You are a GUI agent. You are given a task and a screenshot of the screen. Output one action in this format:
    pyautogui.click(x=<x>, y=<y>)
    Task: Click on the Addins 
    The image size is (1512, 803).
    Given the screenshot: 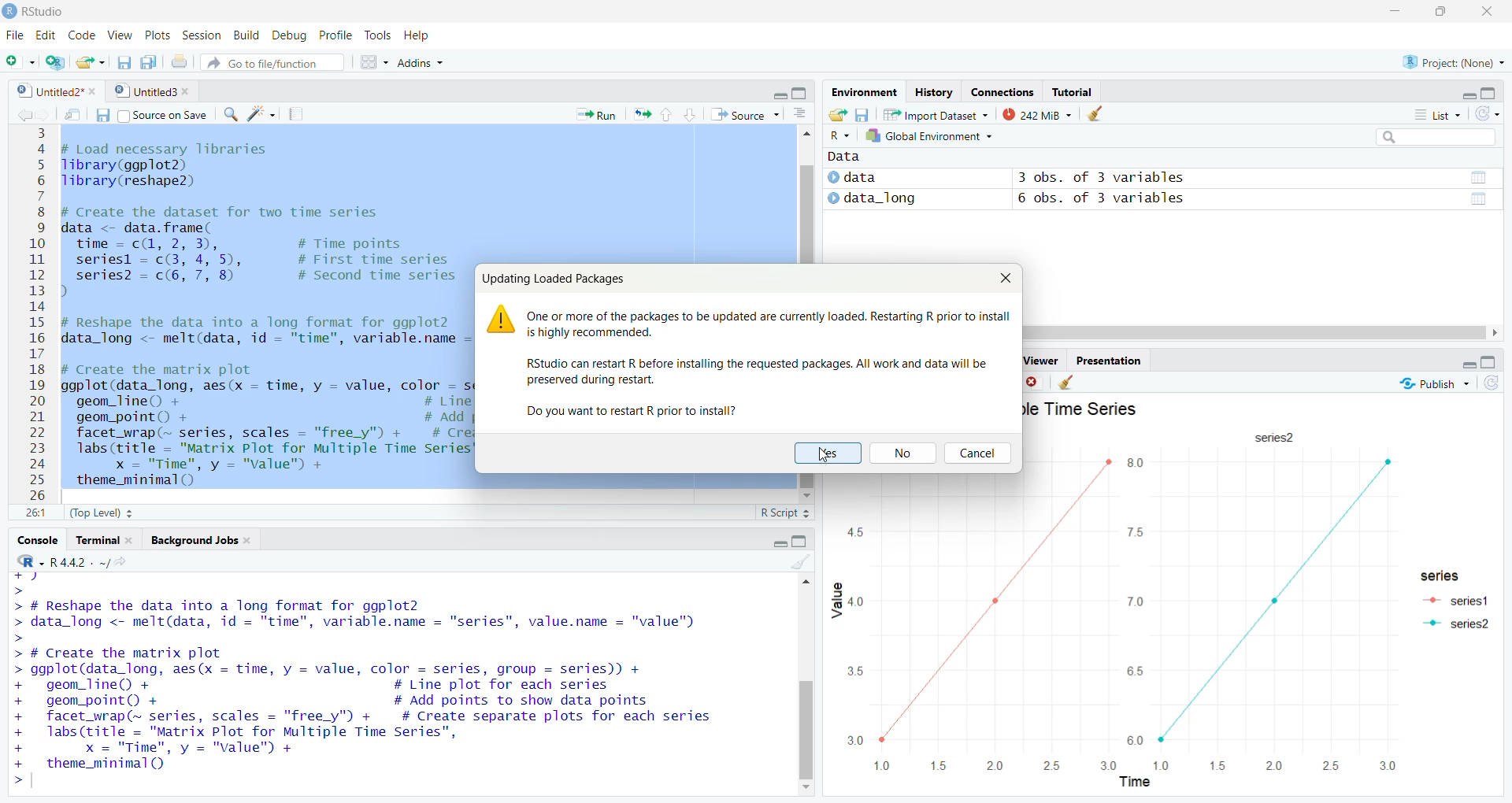 What is the action you would take?
    pyautogui.click(x=419, y=61)
    